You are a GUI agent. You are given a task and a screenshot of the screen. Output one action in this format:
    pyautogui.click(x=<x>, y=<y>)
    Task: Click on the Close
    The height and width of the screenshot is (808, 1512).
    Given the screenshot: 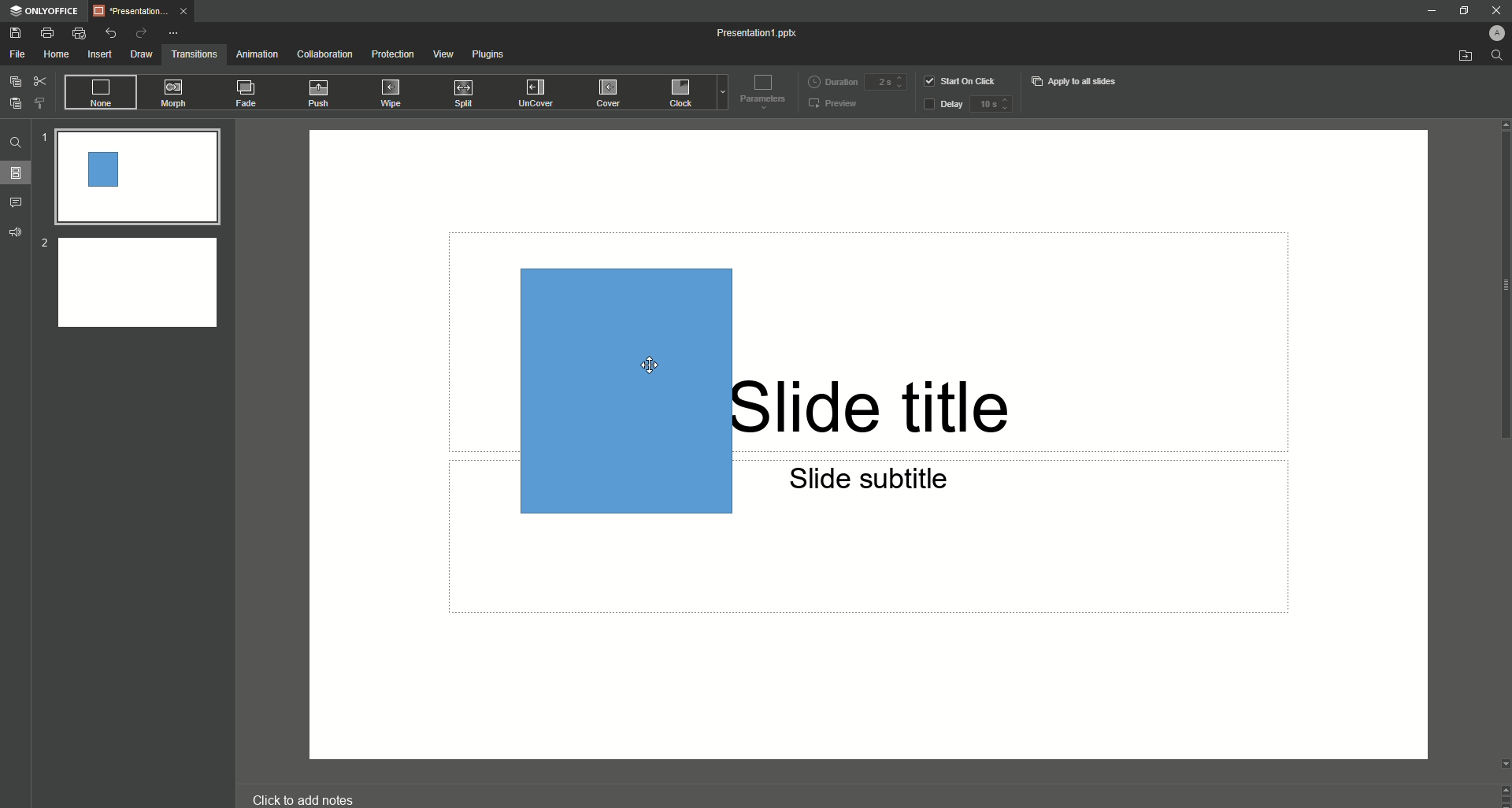 What is the action you would take?
    pyautogui.click(x=1494, y=11)
    